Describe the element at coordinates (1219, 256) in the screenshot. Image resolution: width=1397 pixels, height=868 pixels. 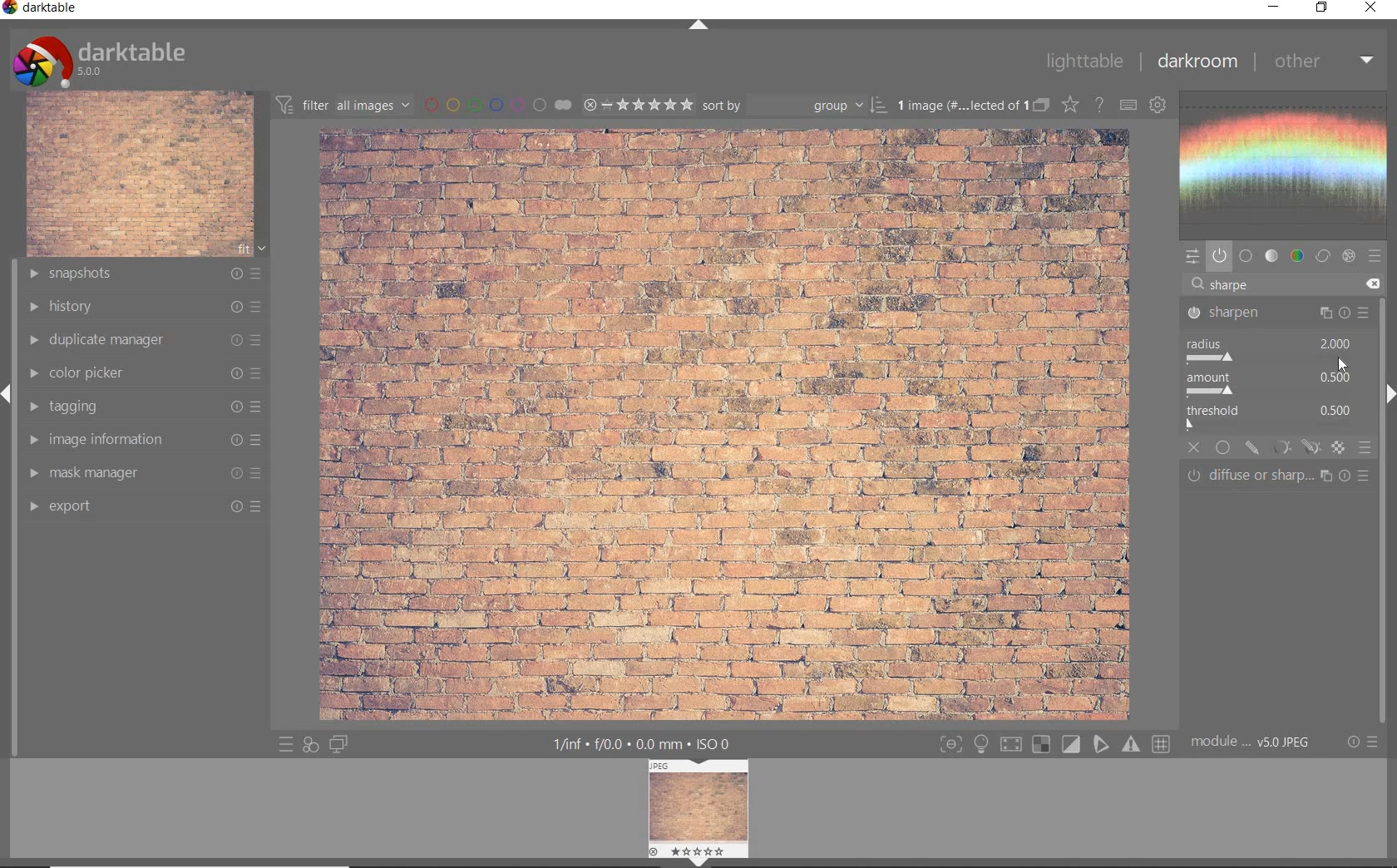
I see `show only active module` at that location.